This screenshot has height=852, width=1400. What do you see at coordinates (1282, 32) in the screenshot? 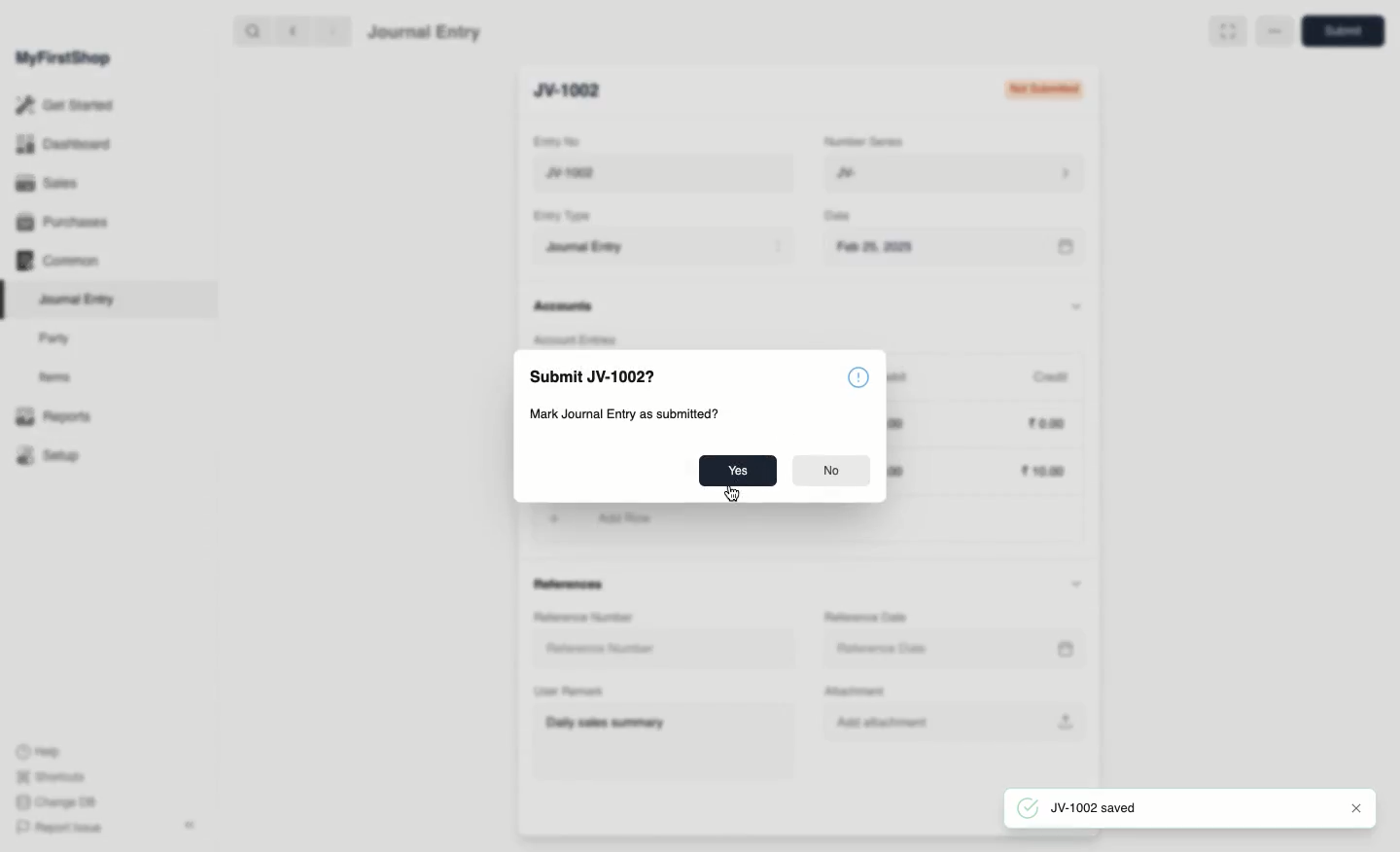
I see `Full width toggle` at bounding box center [1282, 32].